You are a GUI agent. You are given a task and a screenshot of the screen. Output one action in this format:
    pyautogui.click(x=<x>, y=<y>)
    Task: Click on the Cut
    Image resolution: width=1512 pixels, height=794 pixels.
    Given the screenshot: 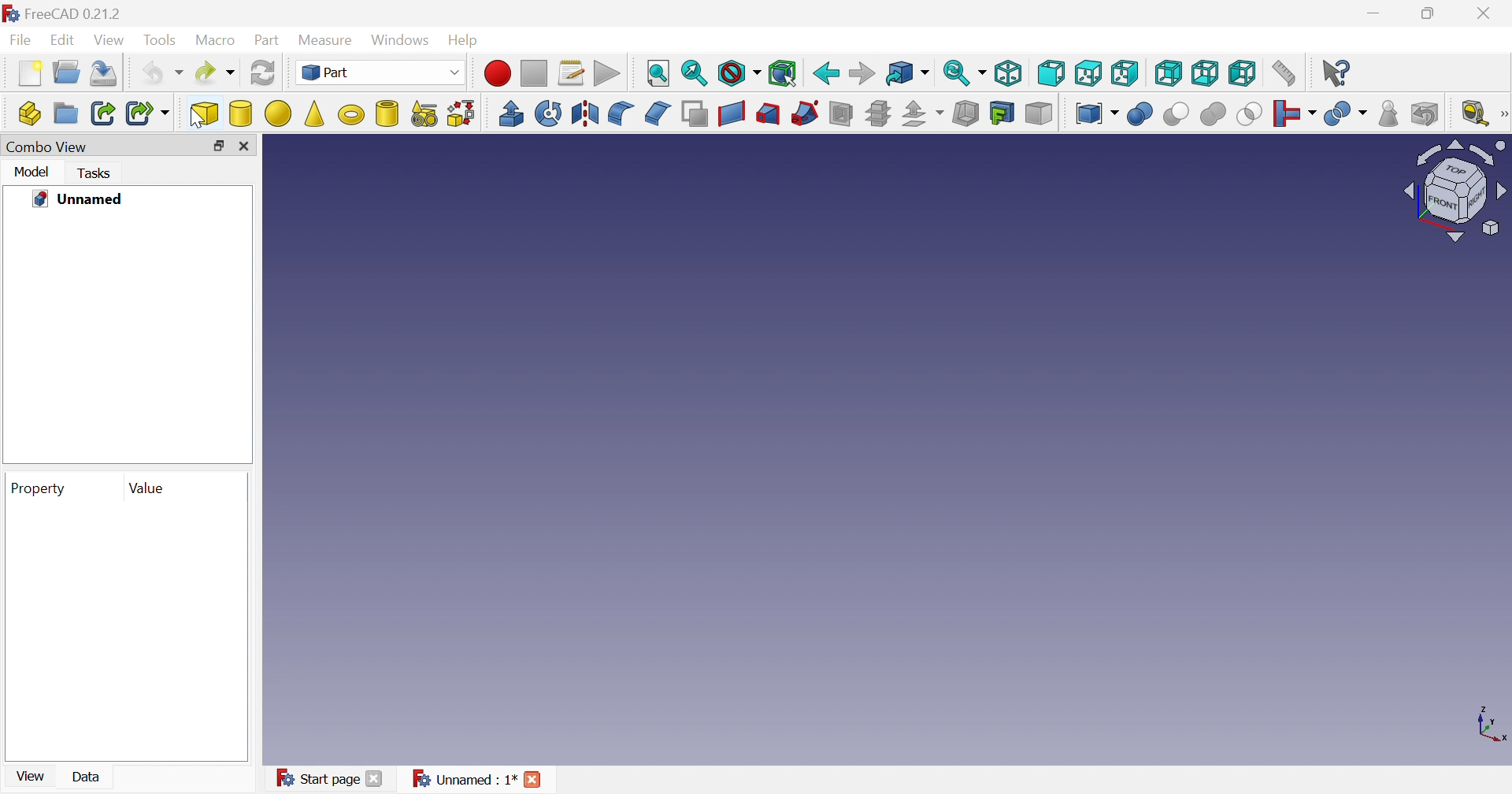 What is the action you would take?
    pyautogui.click(x=1176, y=115)
    